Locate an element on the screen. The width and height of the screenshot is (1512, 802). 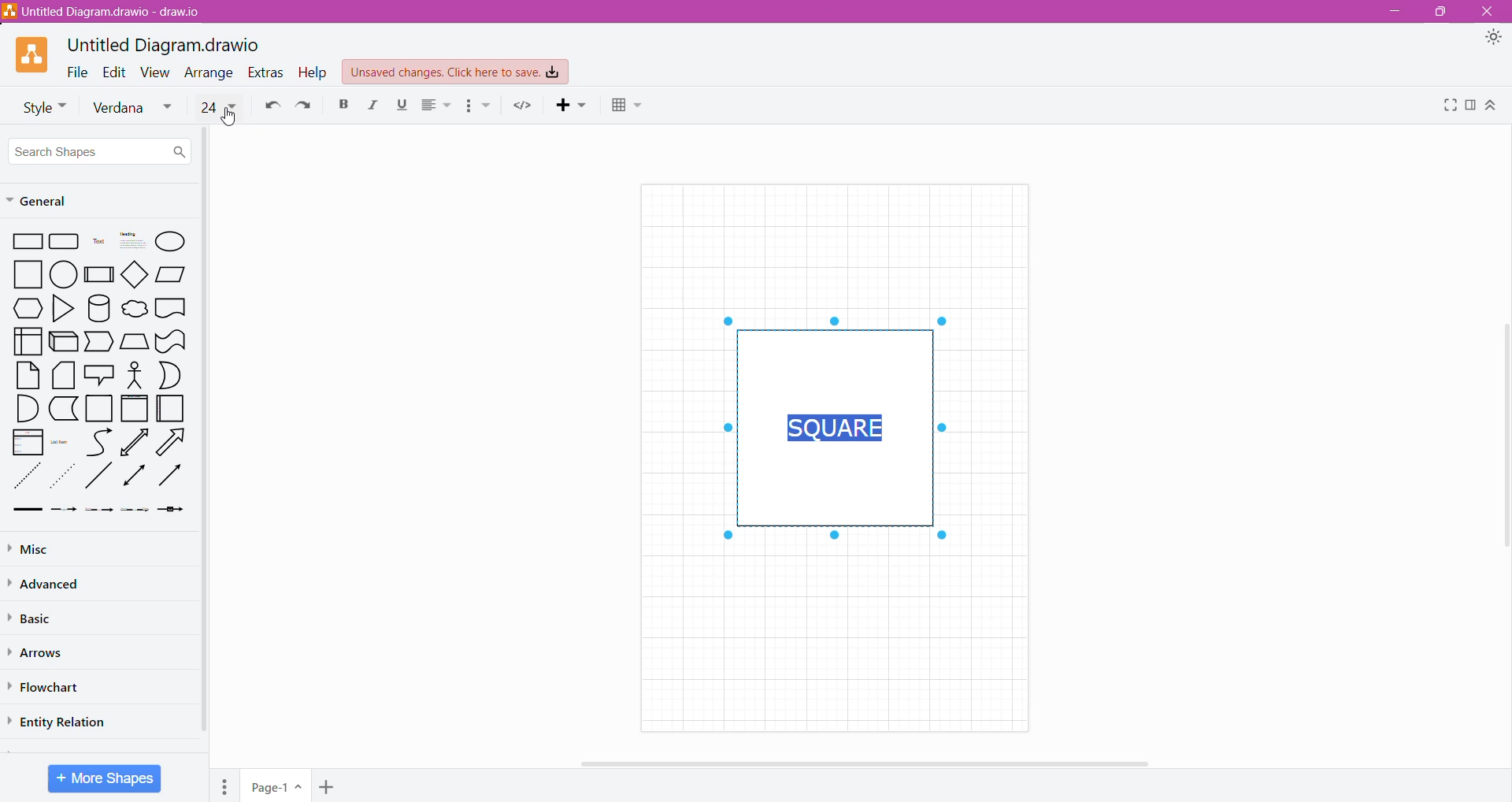
Shape with Text is located at coordinates (830, 429).